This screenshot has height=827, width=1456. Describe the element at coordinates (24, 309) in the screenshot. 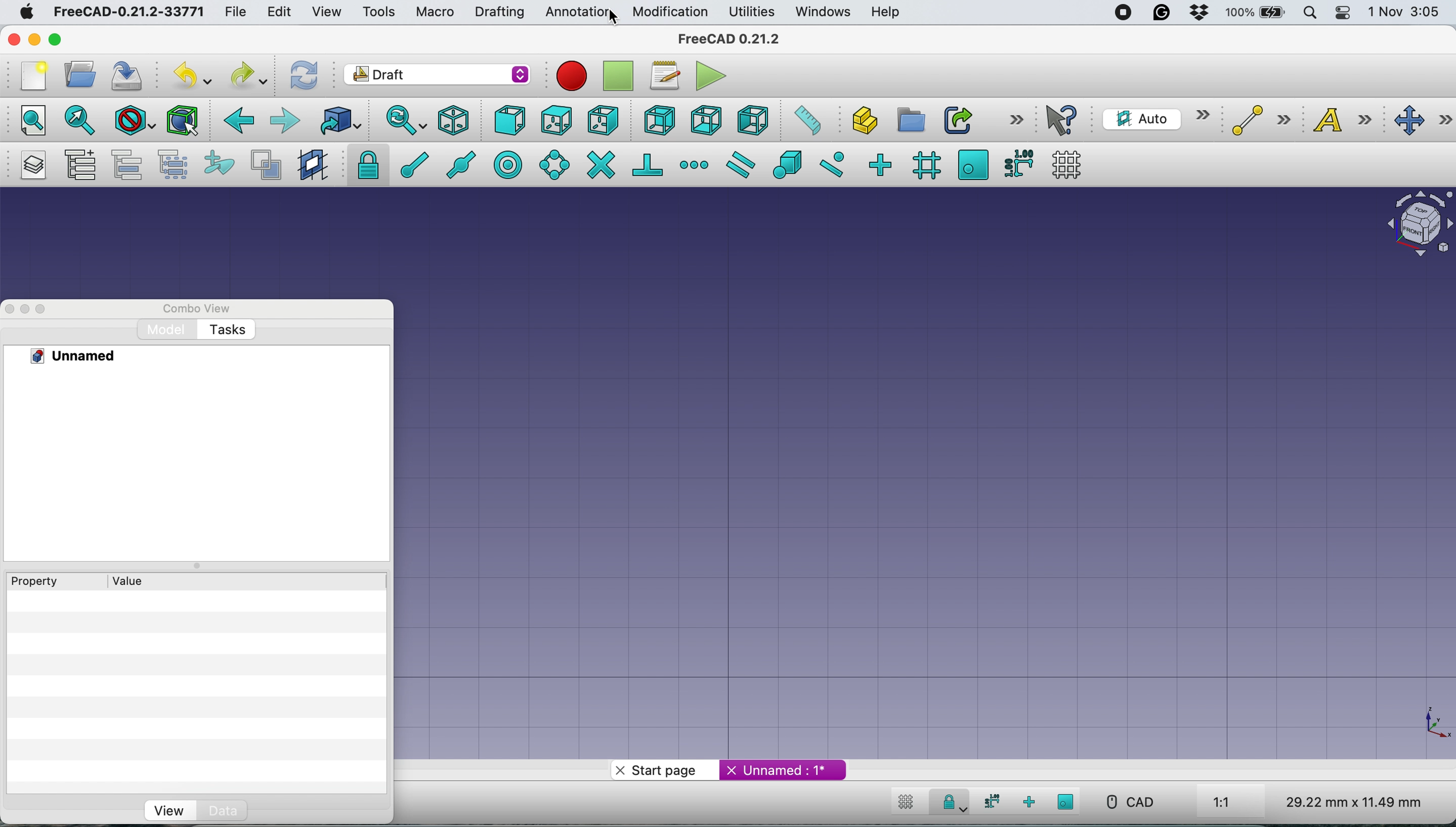

I see `minimise` at that location.